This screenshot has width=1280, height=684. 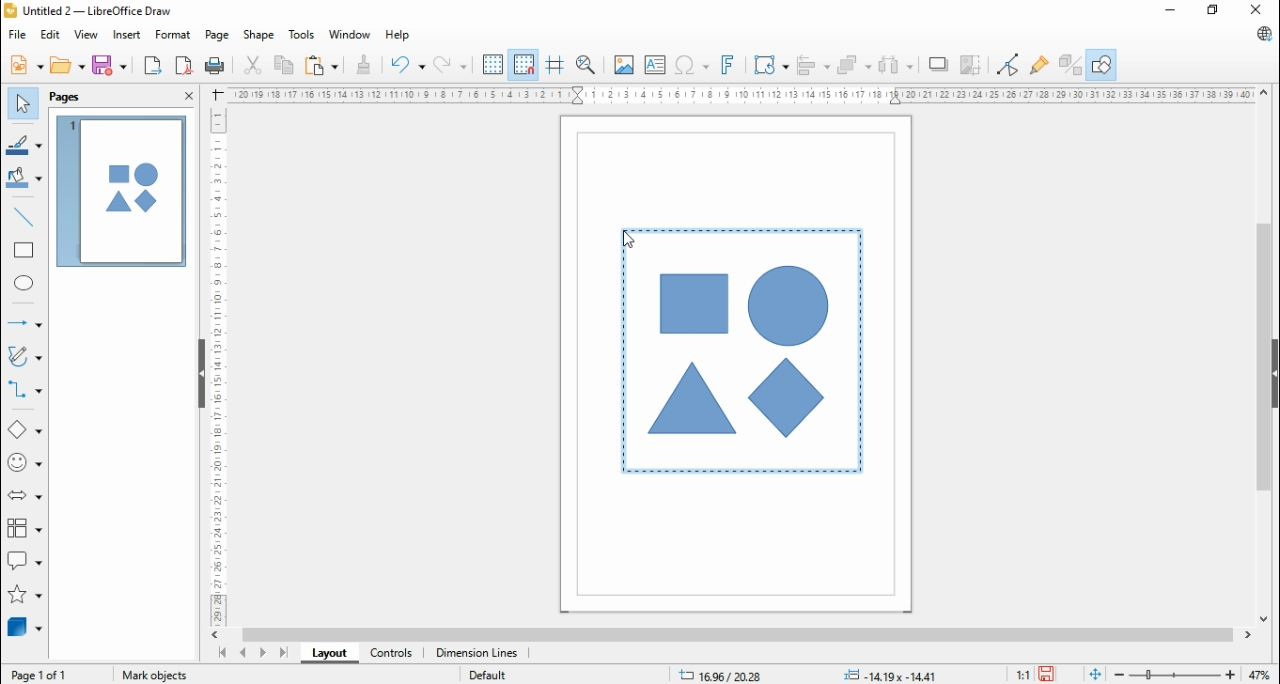 What do you see at coordinates (397, 36) in the screenshot?
I see `help` at bounding box center [397, 36].